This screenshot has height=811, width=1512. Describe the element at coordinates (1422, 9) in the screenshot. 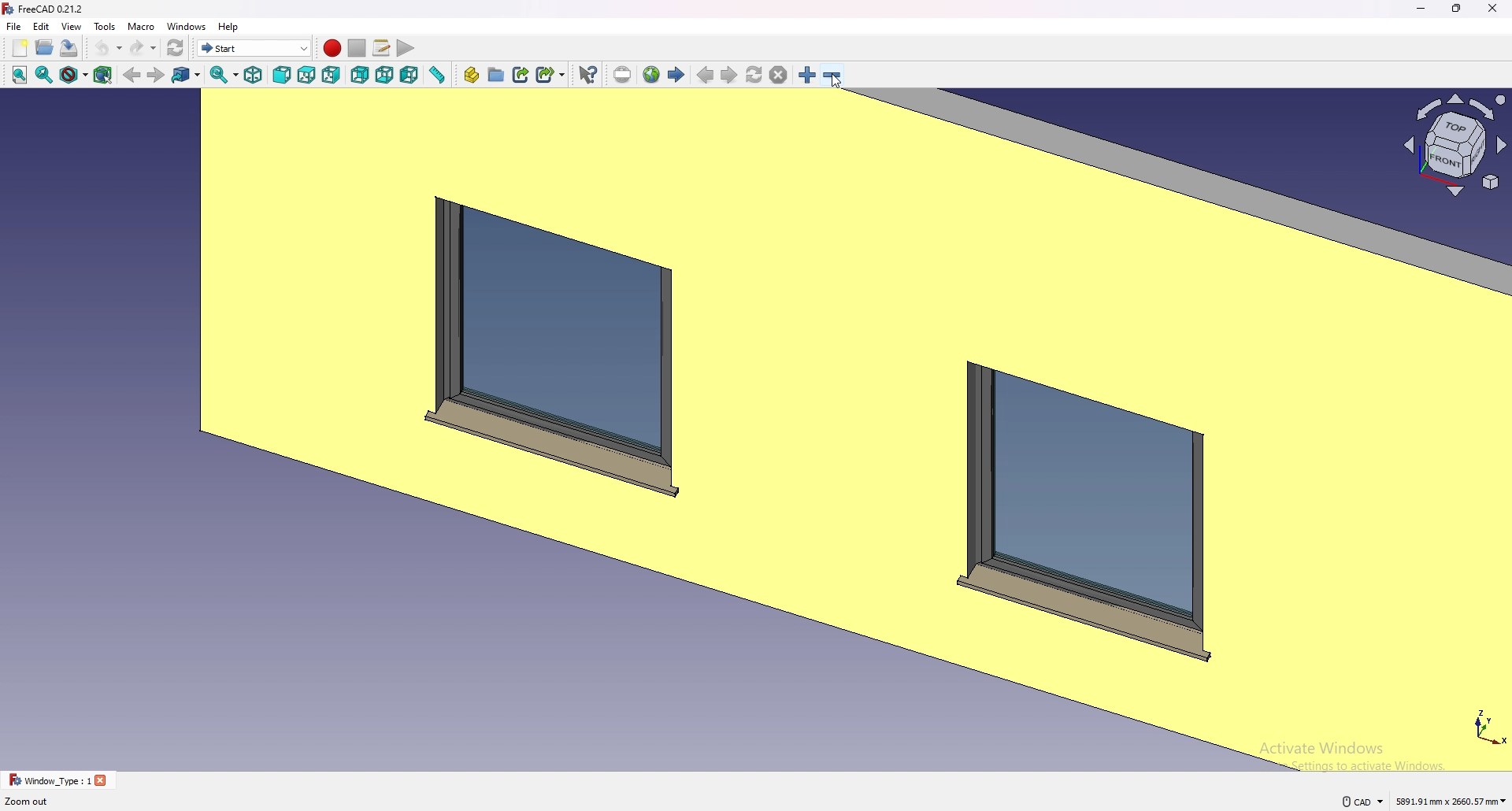

I see `minimize` at that location.